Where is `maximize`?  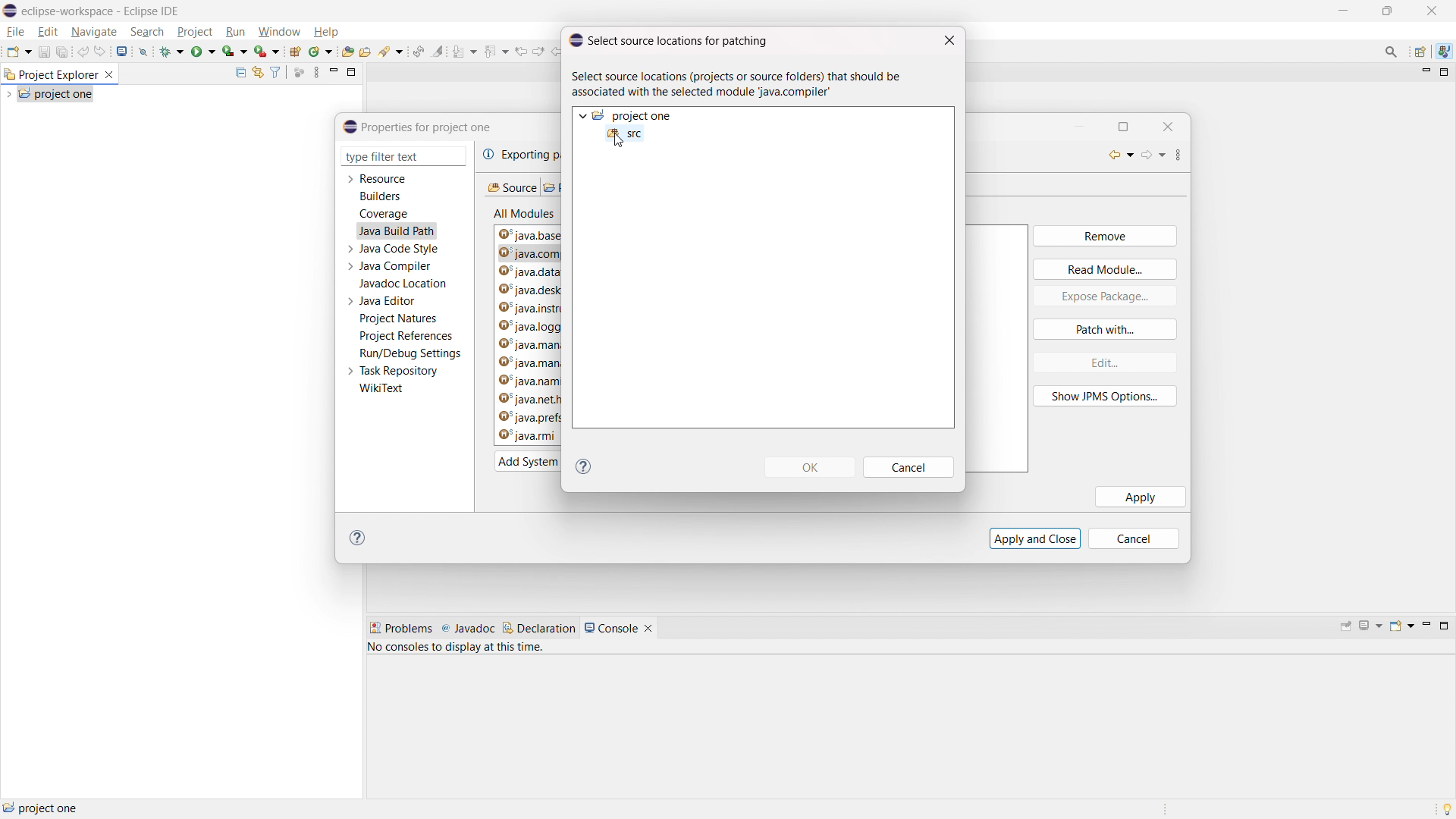 maximize is located at coordinates (1342, 11).